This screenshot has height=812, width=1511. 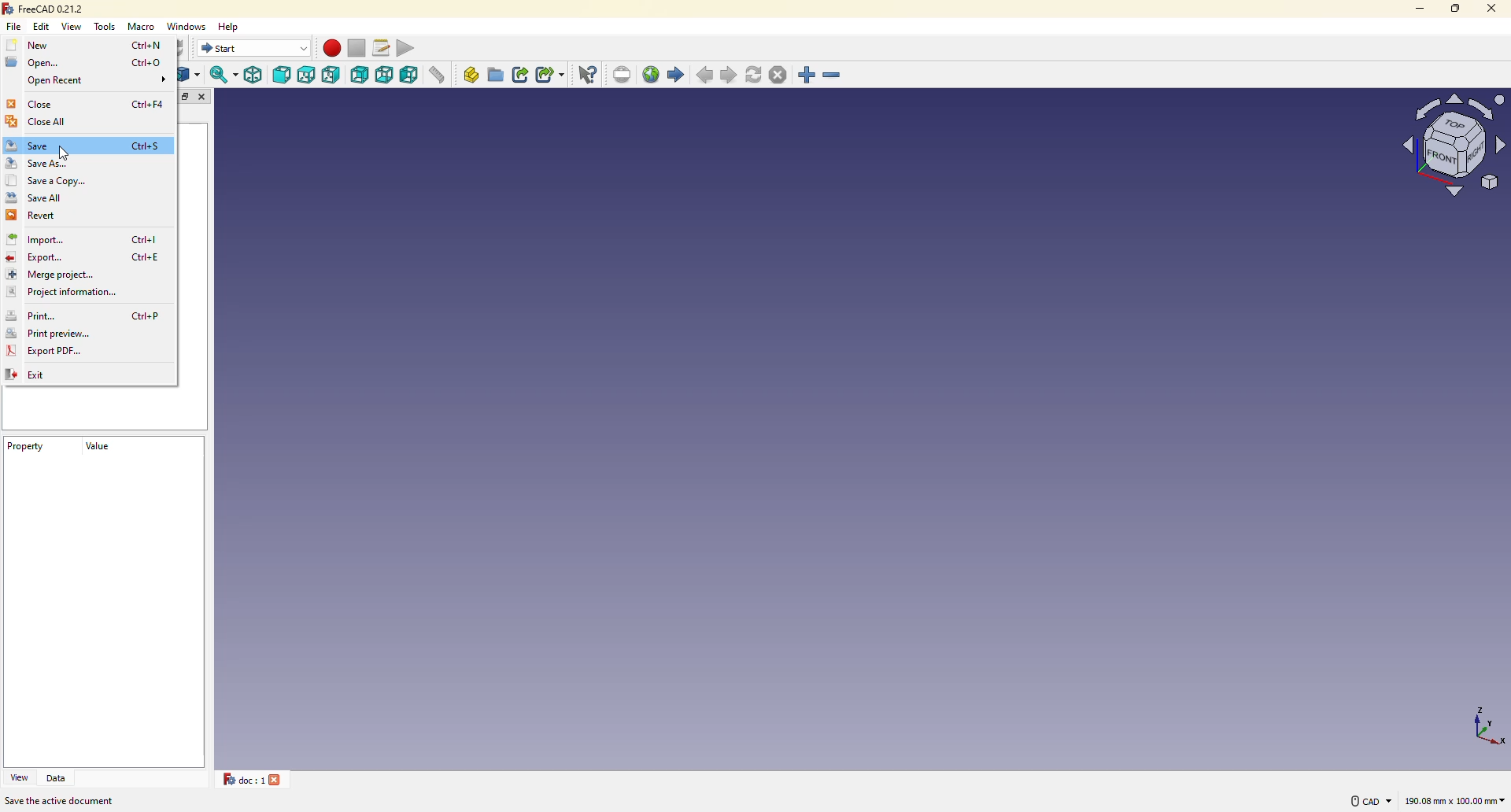 I want to click on maximize, so click(x=1457, y=9).